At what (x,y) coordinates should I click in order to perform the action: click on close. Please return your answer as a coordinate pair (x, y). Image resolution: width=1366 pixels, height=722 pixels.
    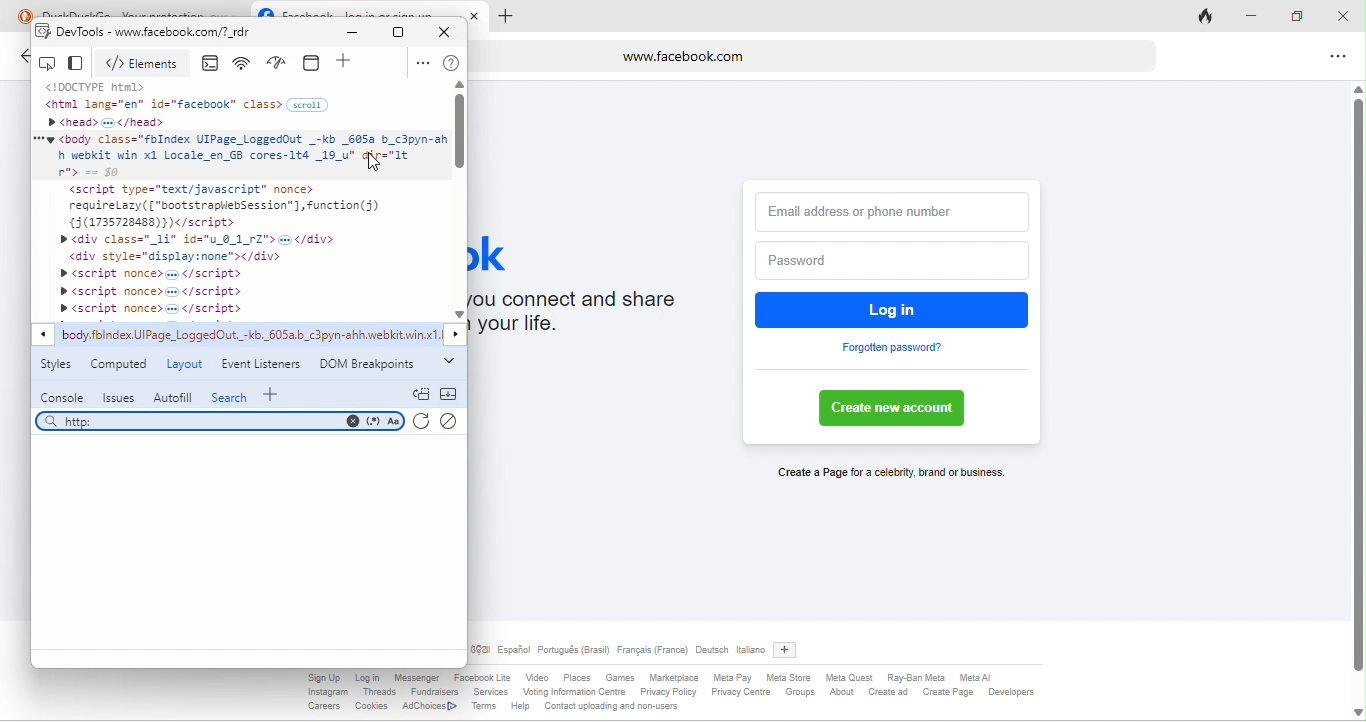
    Looking at the image, I should click on (478, 15).